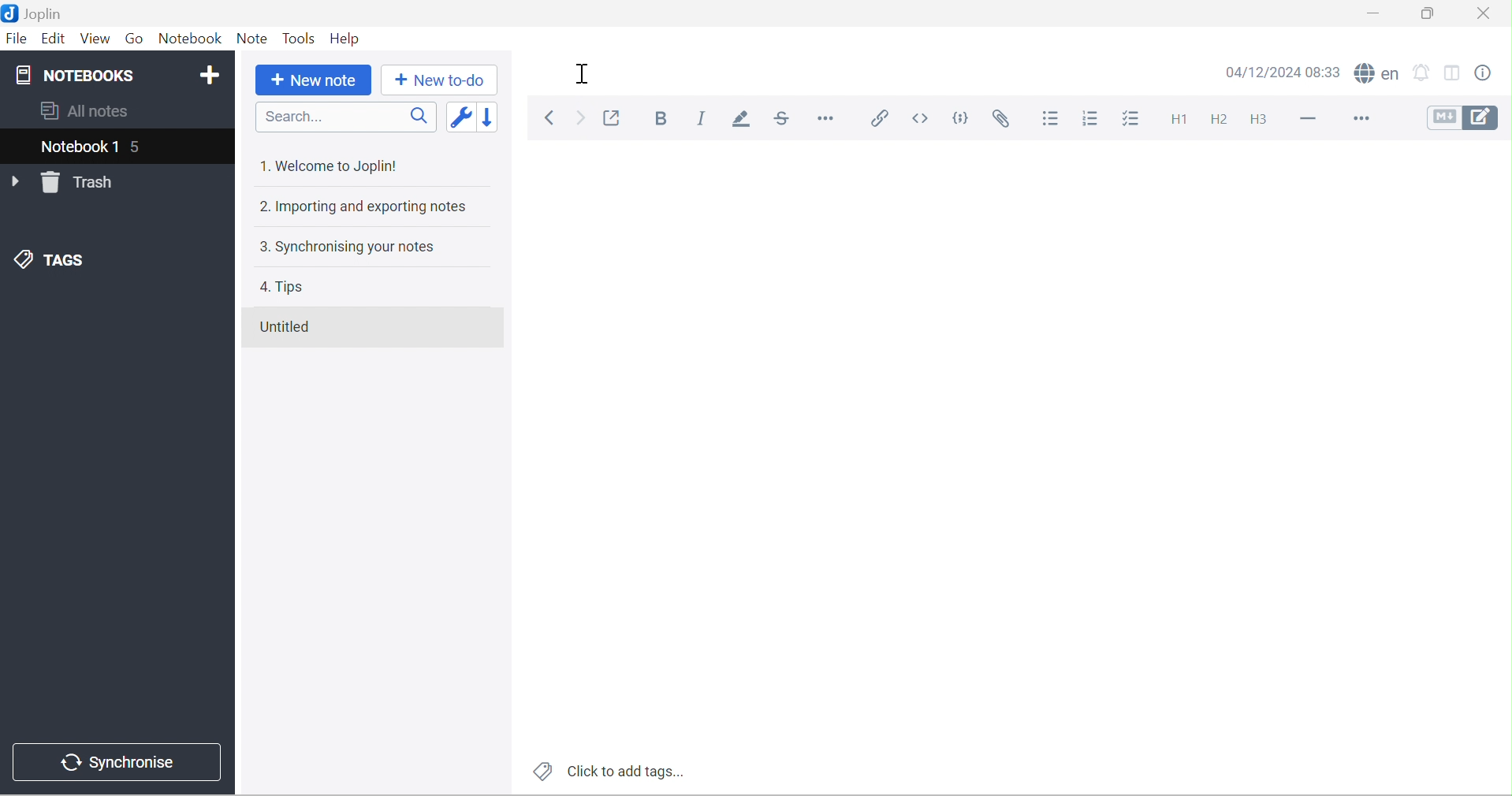 This screenshot has height=796, width=1512. Describe the element at coordinates (335, 165) in the screenshot. I see `1. Welcome to Joplin!` at that location.